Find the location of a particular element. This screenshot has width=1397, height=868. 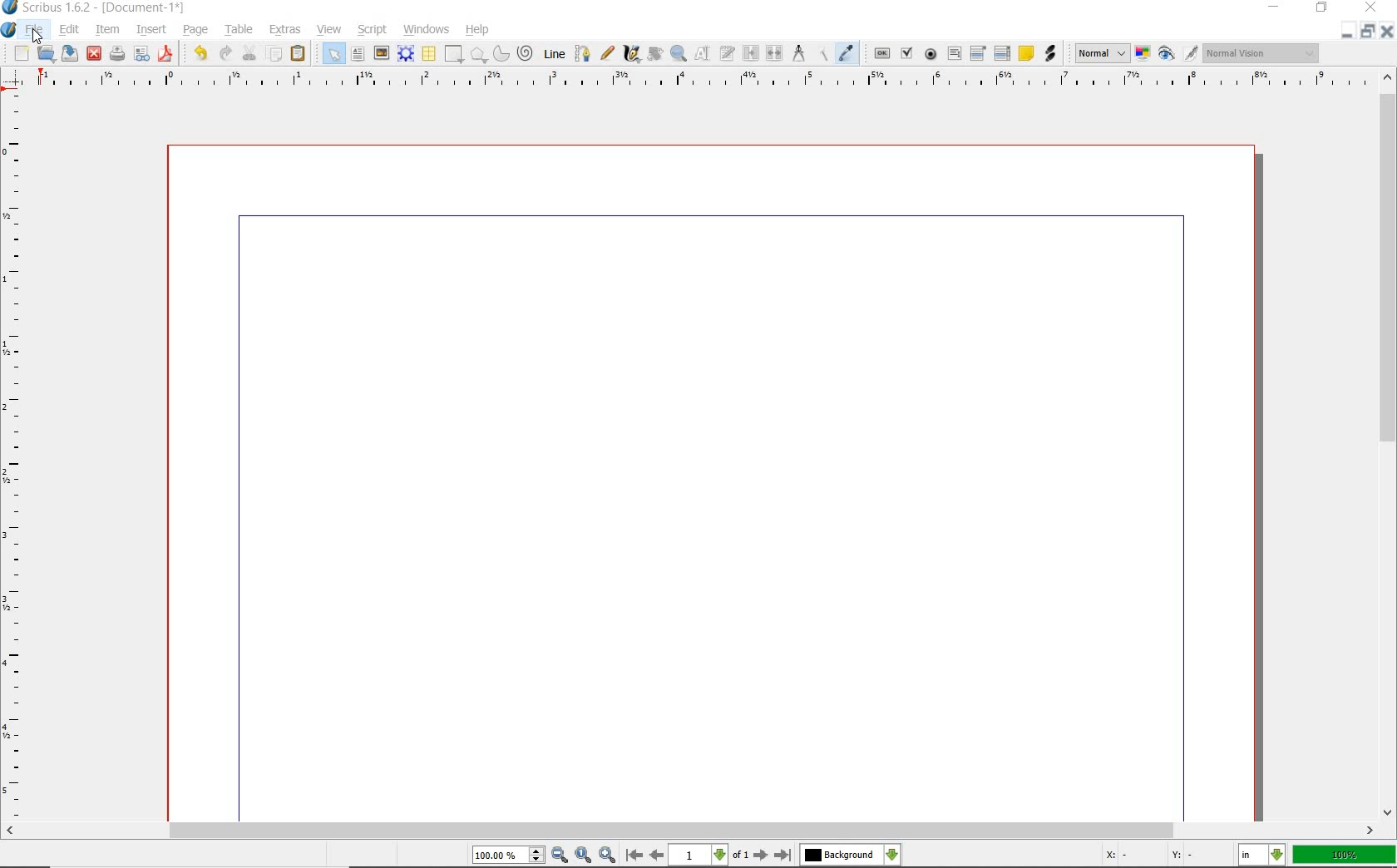

item is located at coordinates (106, 28).